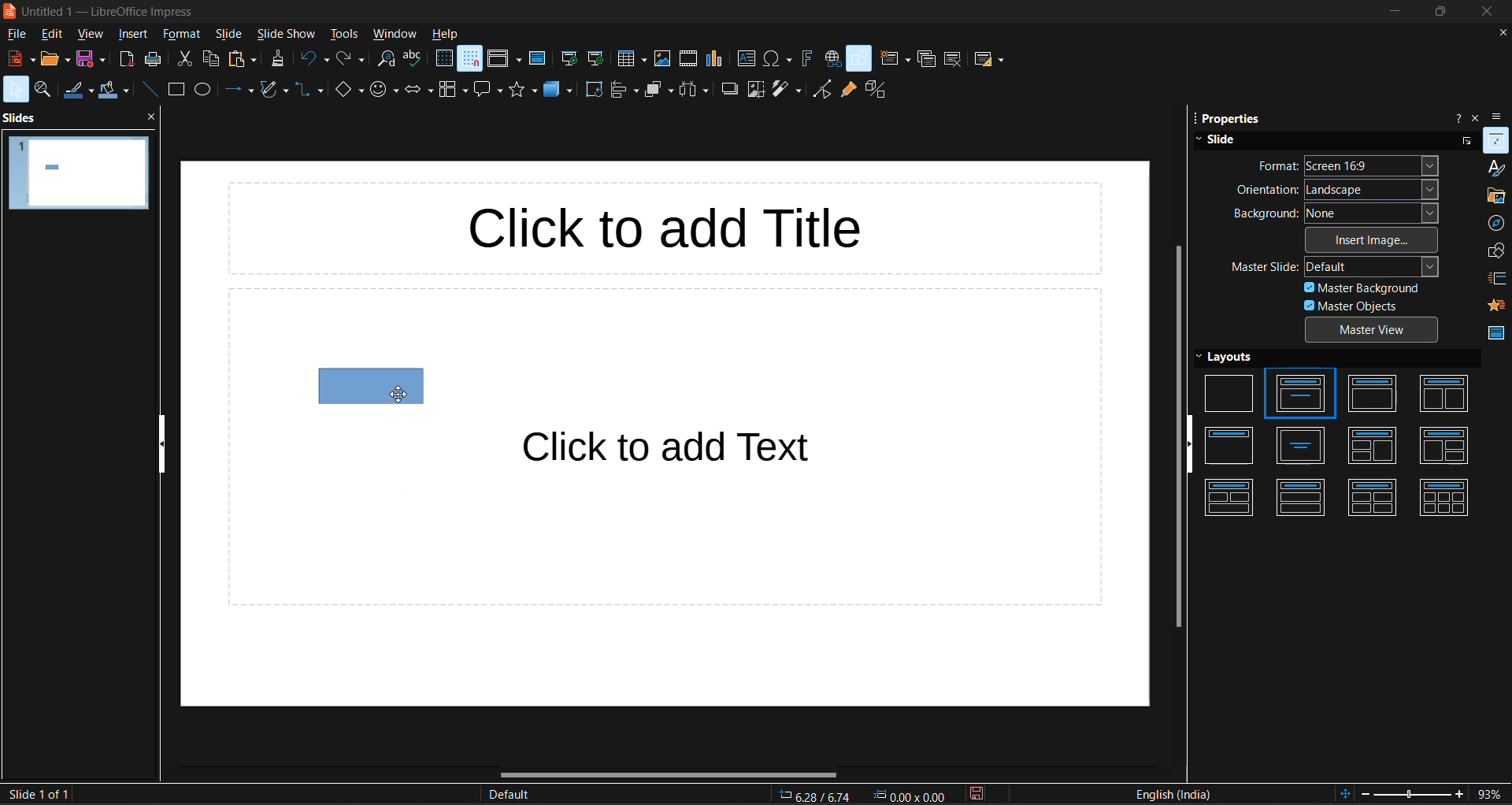 The height and width of the screenshot is (805, 1512). Describe the element at coordinates (678, 227) in the screenshot. I see `Click to add Title` at that location.